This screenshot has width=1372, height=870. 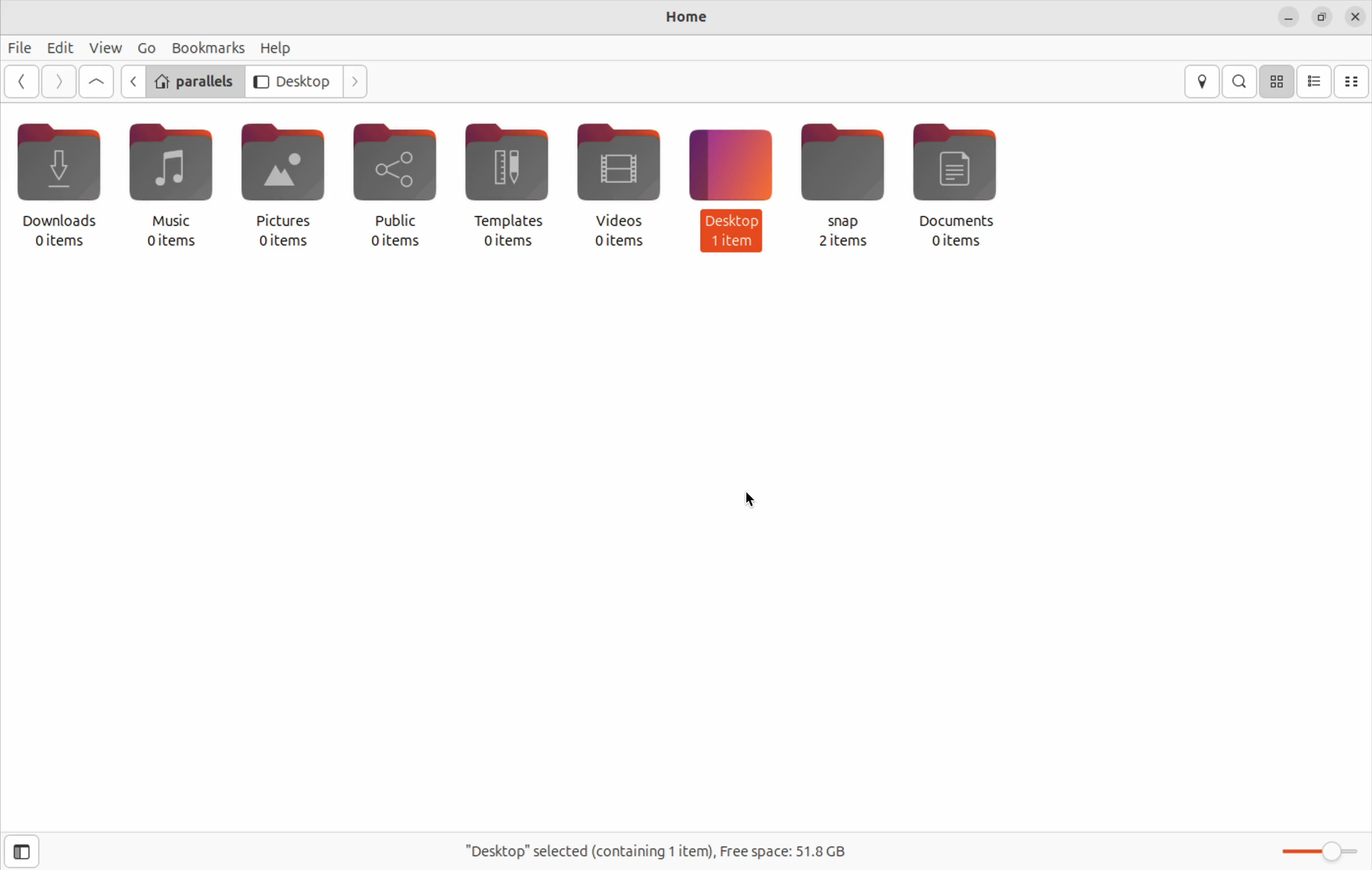 I want to click on icon view, so click(x=1277, y=82).